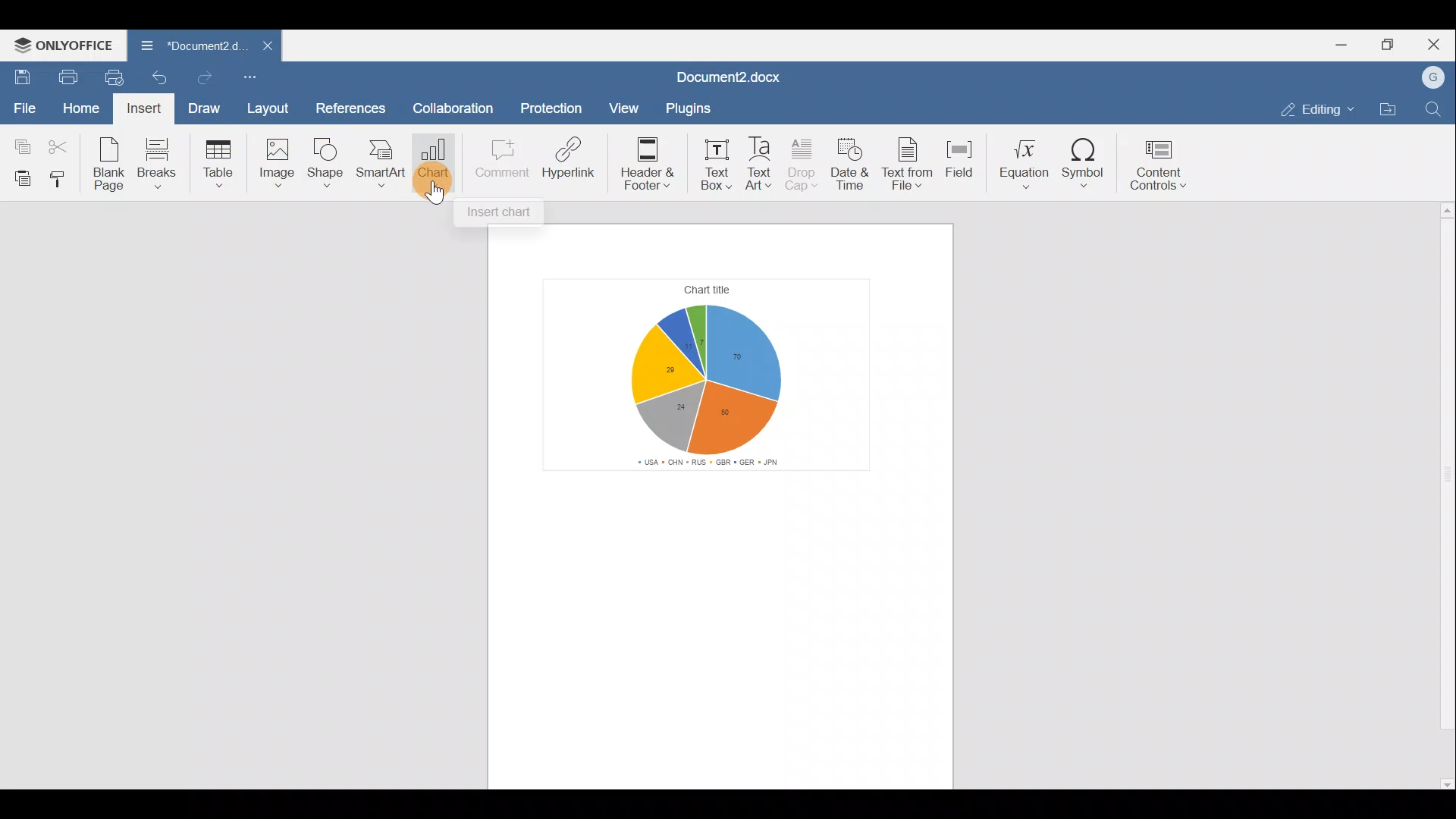 This screenshot has width=1456, height=819. I want to click on Comment, so click(499, 161).